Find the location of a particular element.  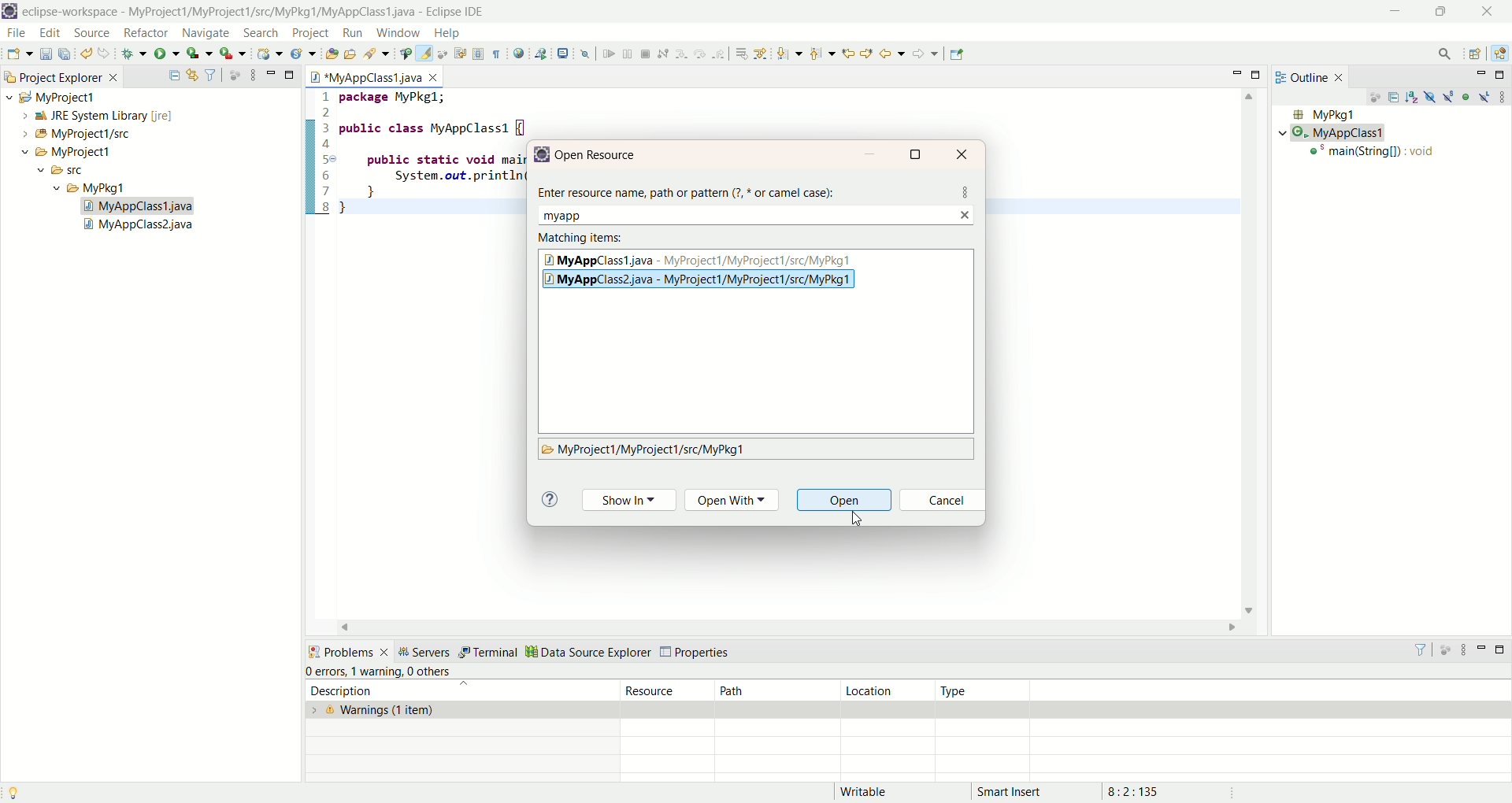

filter is located at coordinates (213, 76).